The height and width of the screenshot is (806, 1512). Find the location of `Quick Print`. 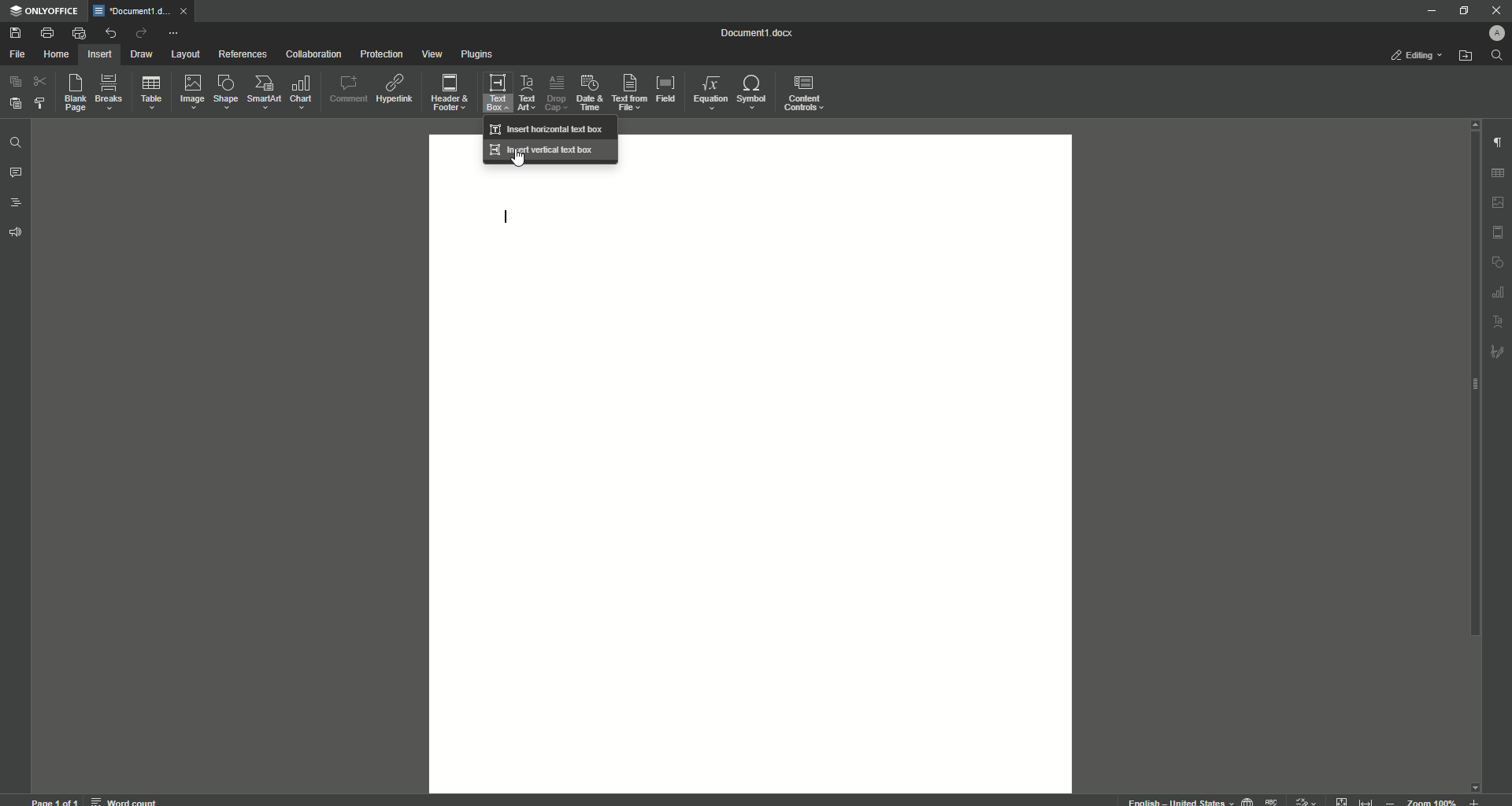

Quick Print is located at coordinates (79, 33).